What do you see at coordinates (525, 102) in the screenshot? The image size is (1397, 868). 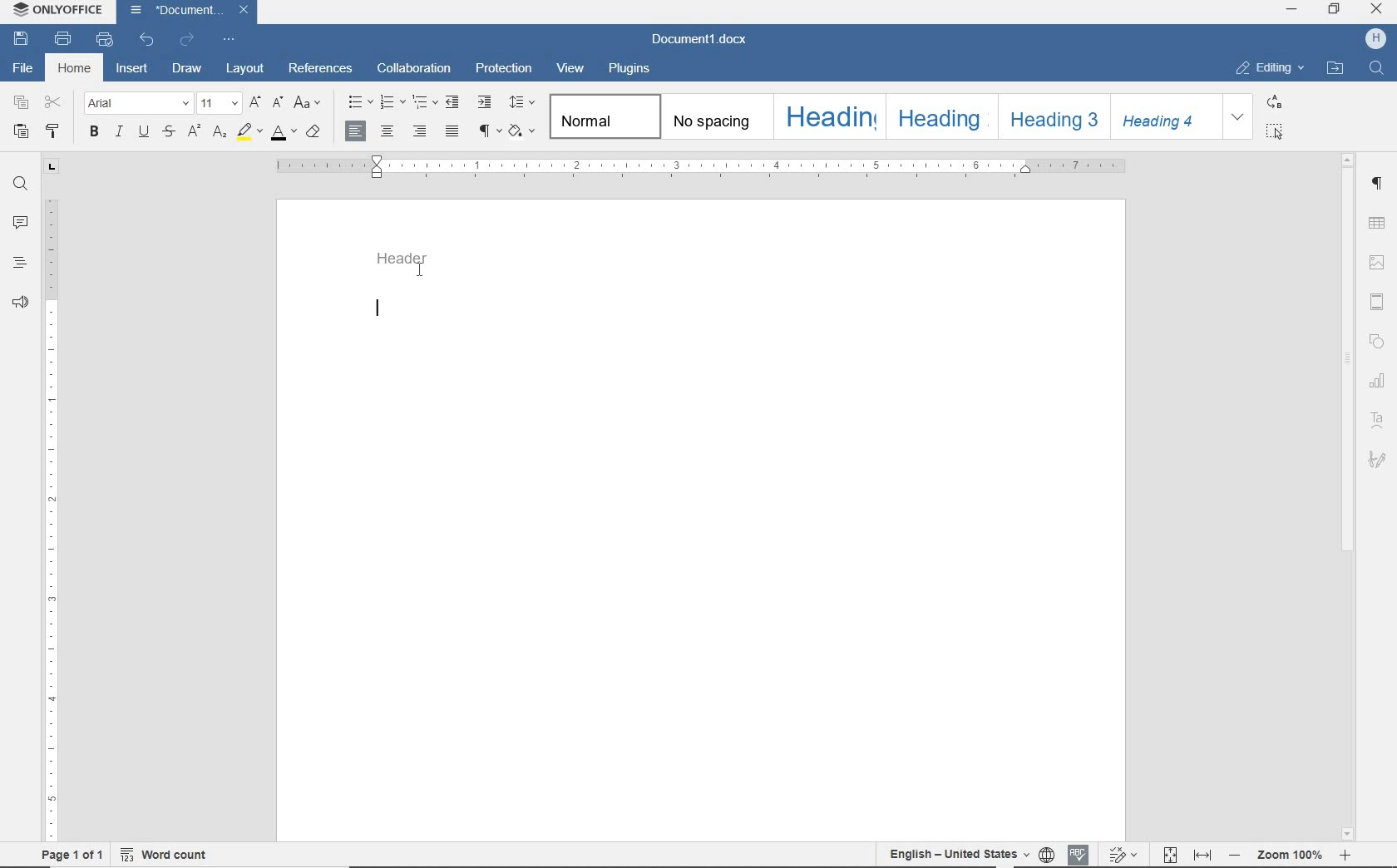 I see `paragraph line spacing` at bounding box center [525, 102].